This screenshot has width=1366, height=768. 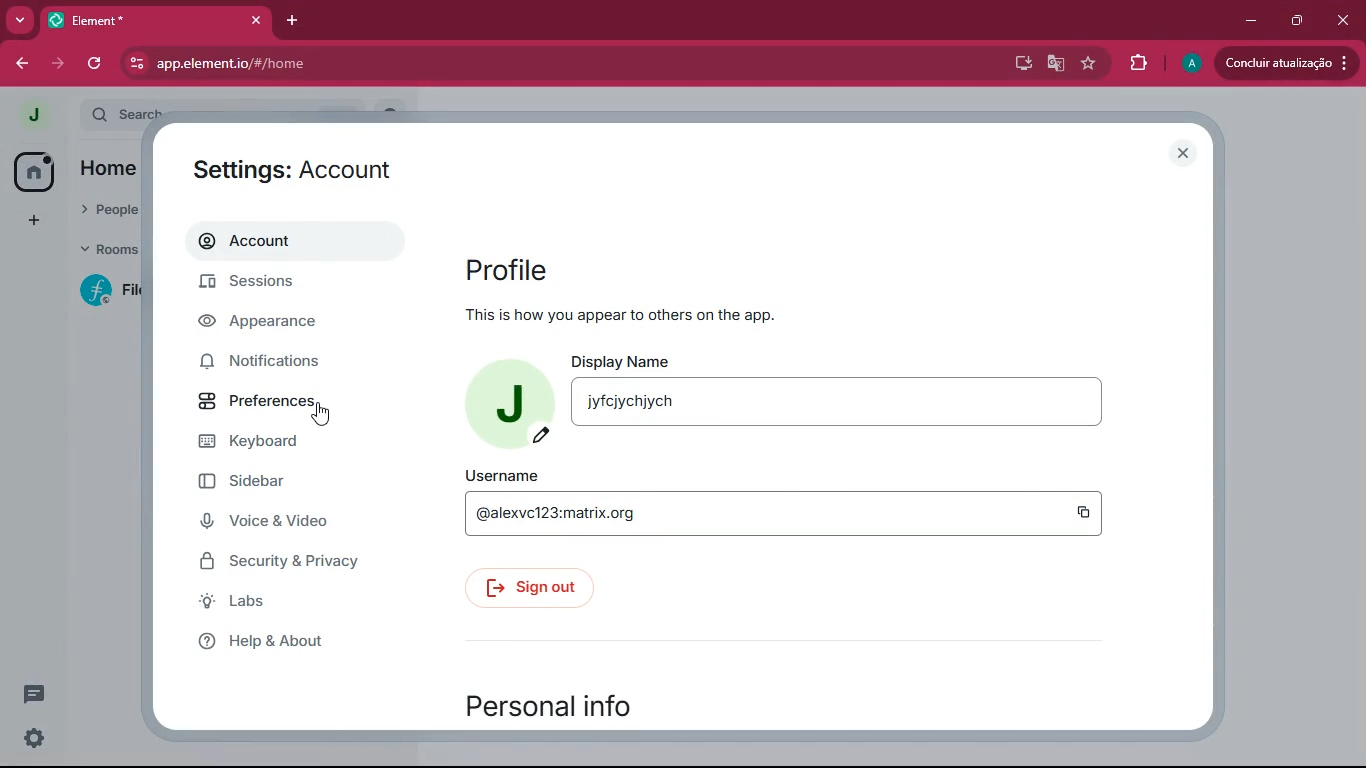 What do you see at coordinates (556, 705) in the screenshot?
I see `personal info` at bounding box center [556, 705].